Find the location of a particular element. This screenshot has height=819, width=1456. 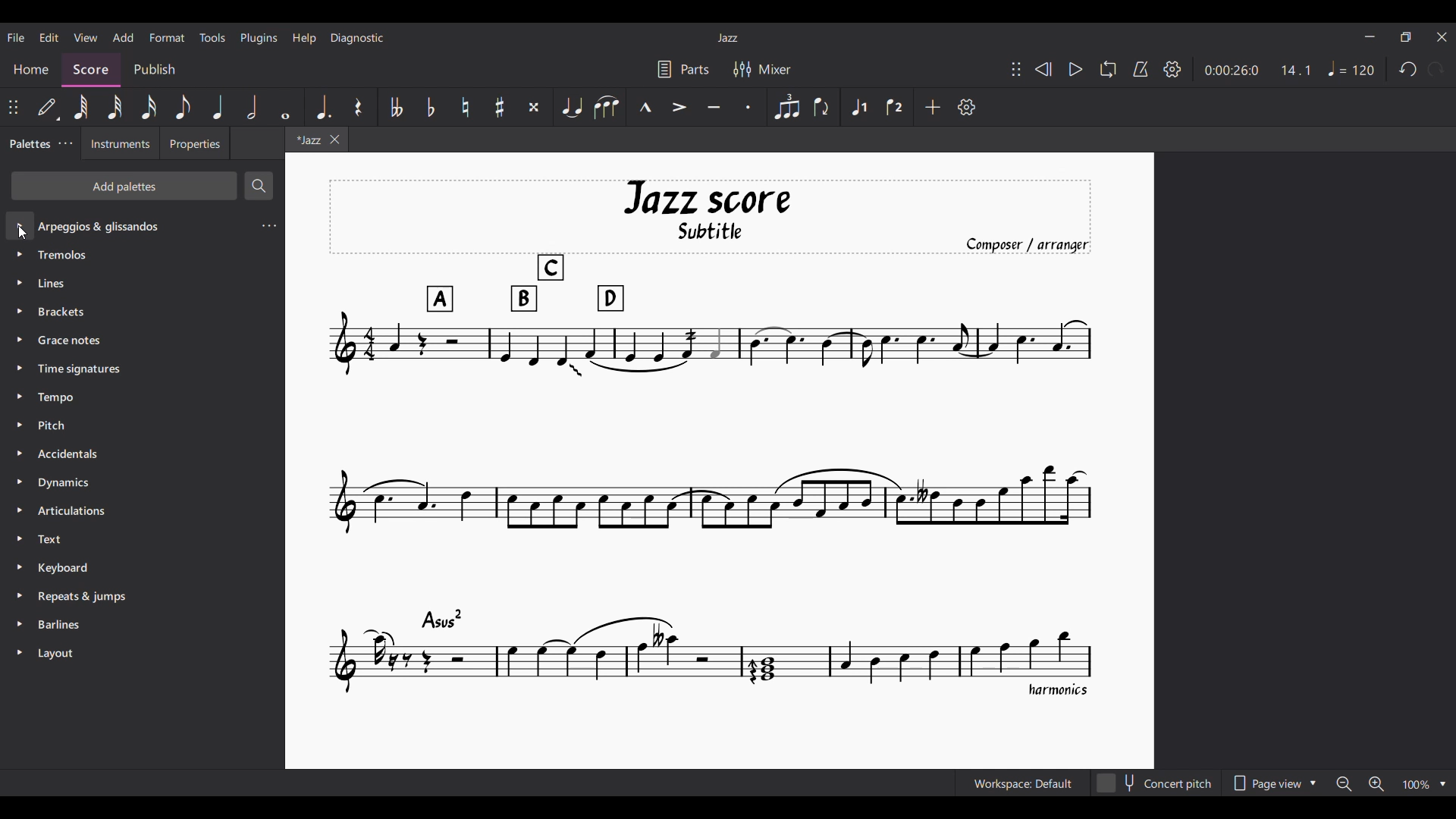

Toggle double sharp is located at coordinates (534, 107).